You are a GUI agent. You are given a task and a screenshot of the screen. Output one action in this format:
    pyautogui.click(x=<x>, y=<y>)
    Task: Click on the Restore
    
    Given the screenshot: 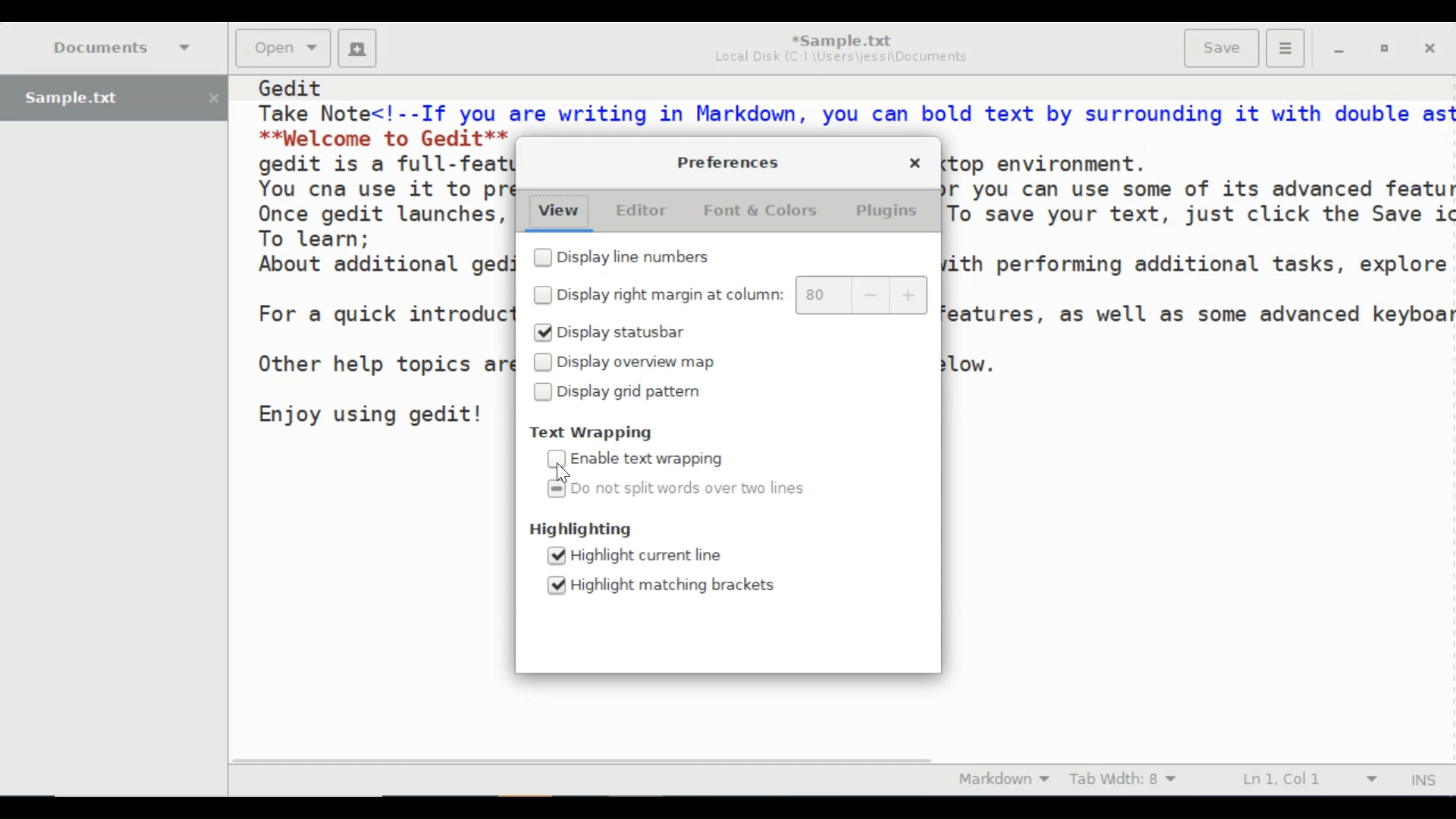 What is the action you would take?
    pyautogui.click(x=1384, y=45)
    